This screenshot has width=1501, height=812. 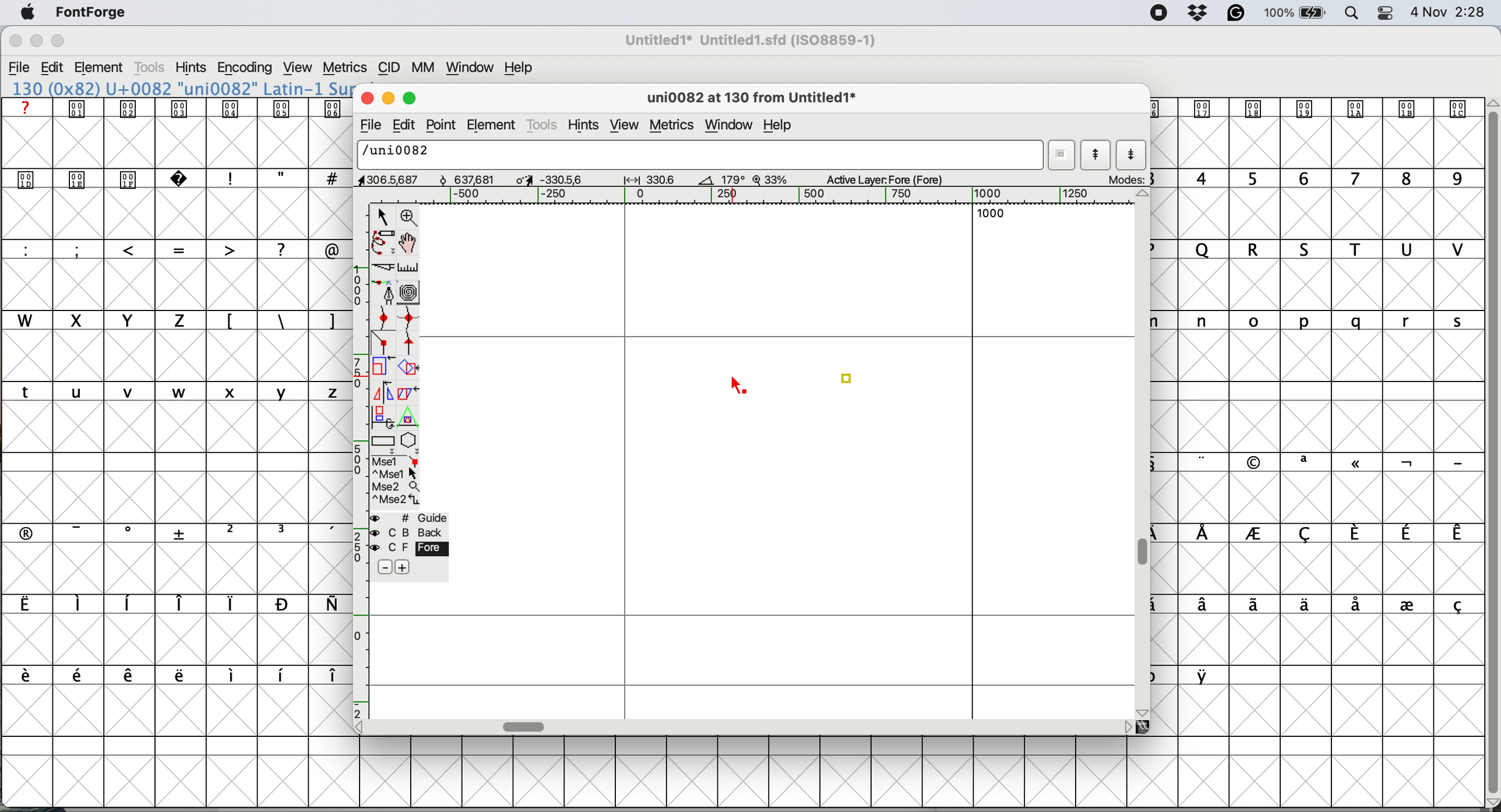 What do you see at coordinates (625, 126) in the screenshot?
I see `view` at bounding box center [625, 126].